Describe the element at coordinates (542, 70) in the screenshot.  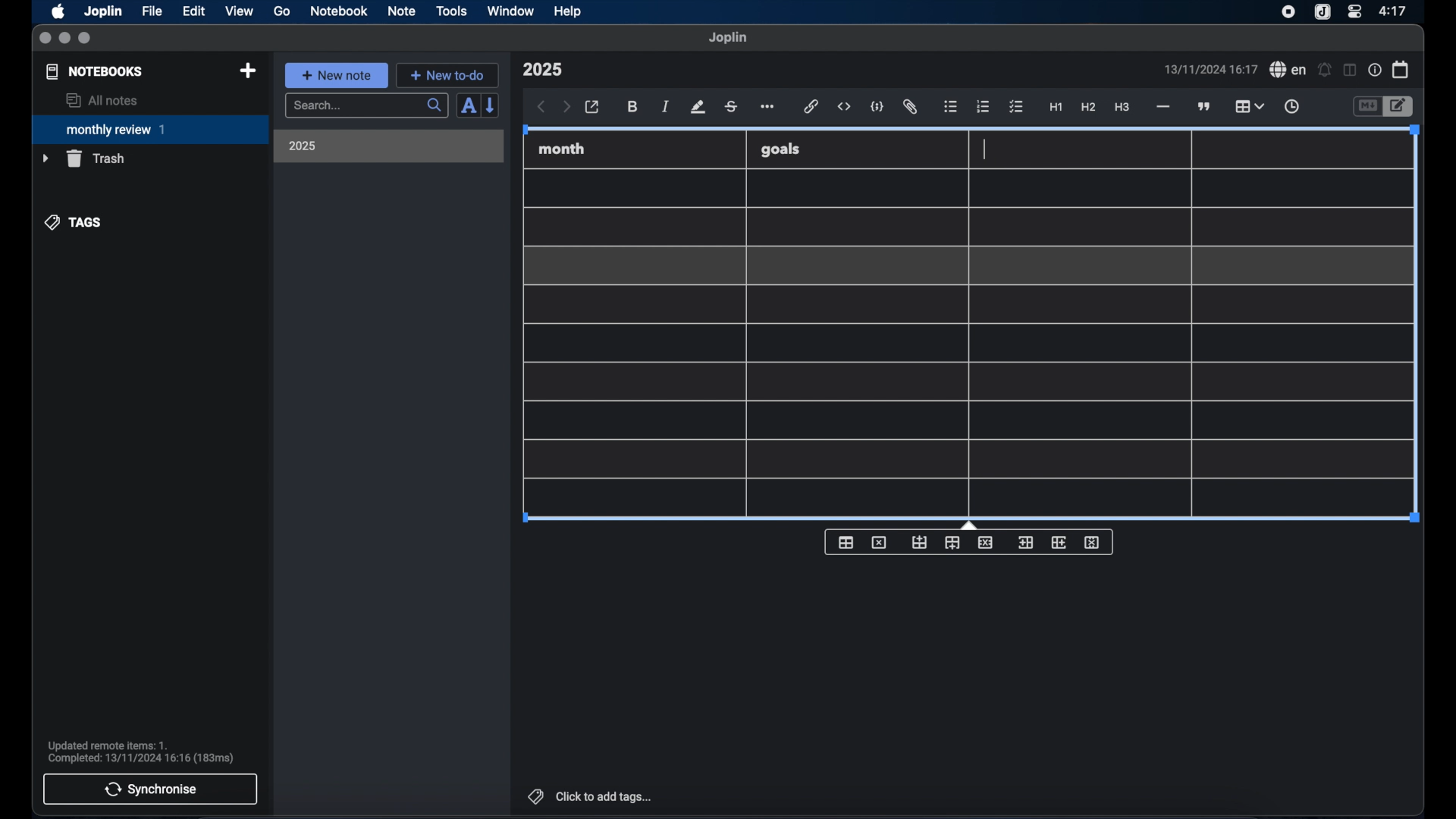
I see `note title` at that location.